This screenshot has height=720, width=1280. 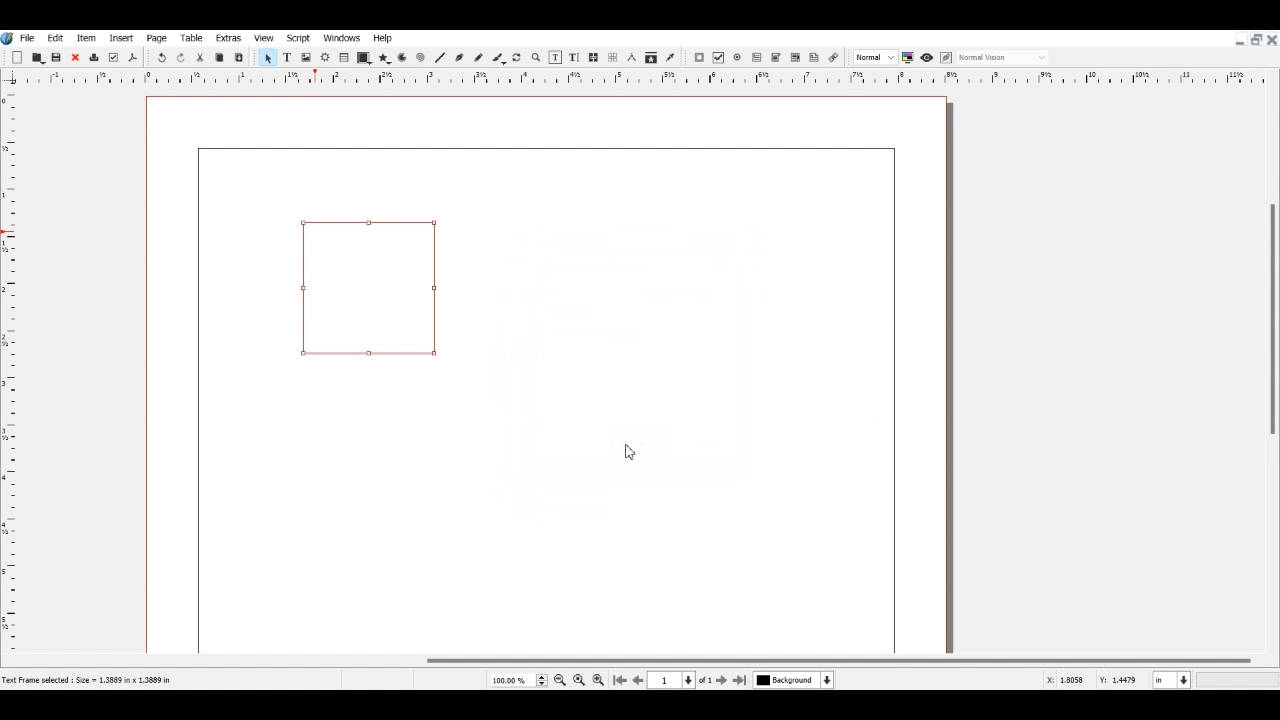 I want to click on Go to next page, so click(x=723, y=680).